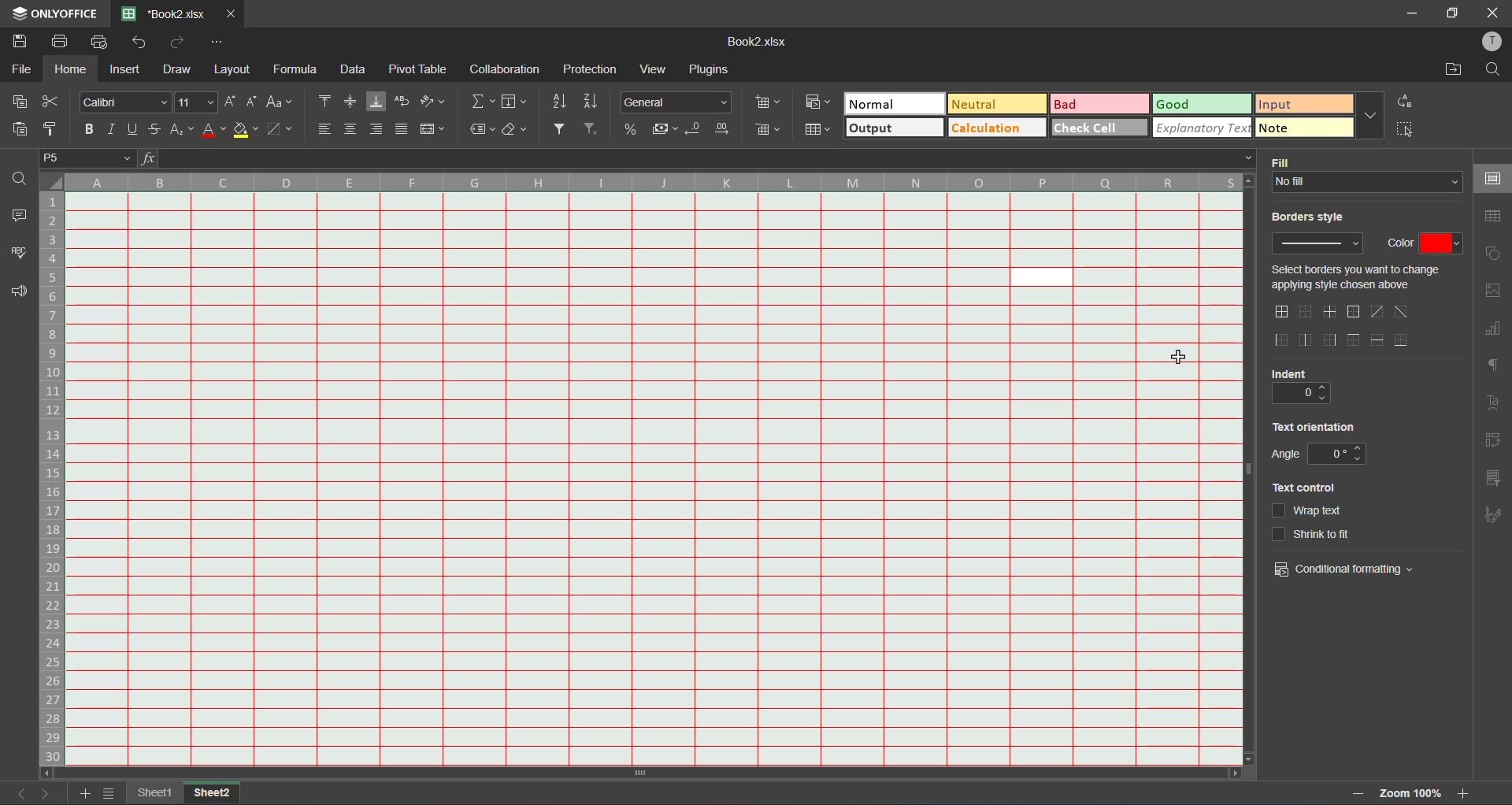  What do you see at coordinates (1495, 480) in the screenshot?
I see `slicer` at bounding box center [1495, 480].